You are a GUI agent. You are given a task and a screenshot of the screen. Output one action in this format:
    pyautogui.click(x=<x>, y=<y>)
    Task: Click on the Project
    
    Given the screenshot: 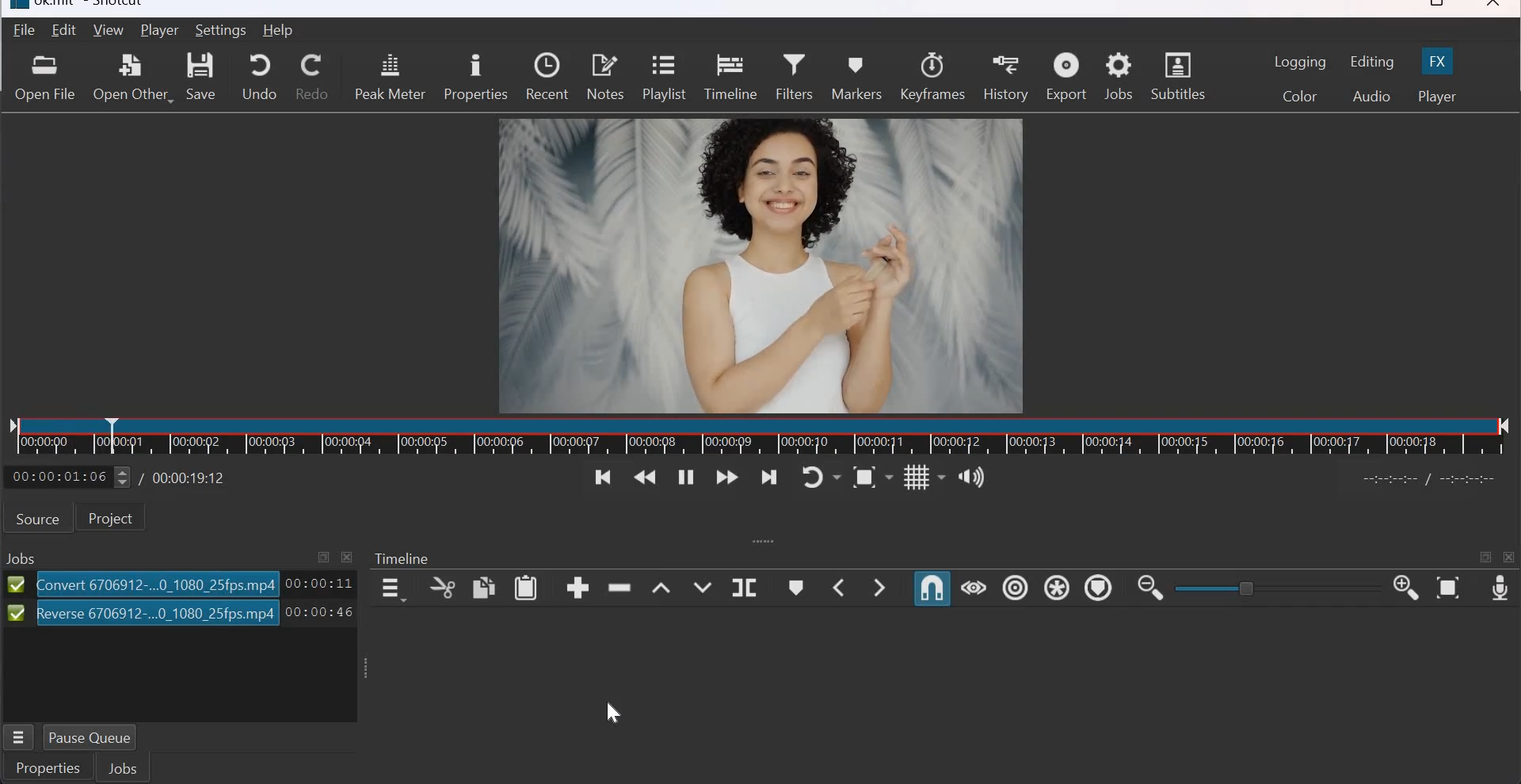 What is the action you would take?
    pyautogui.click(x=115, y=519)
    